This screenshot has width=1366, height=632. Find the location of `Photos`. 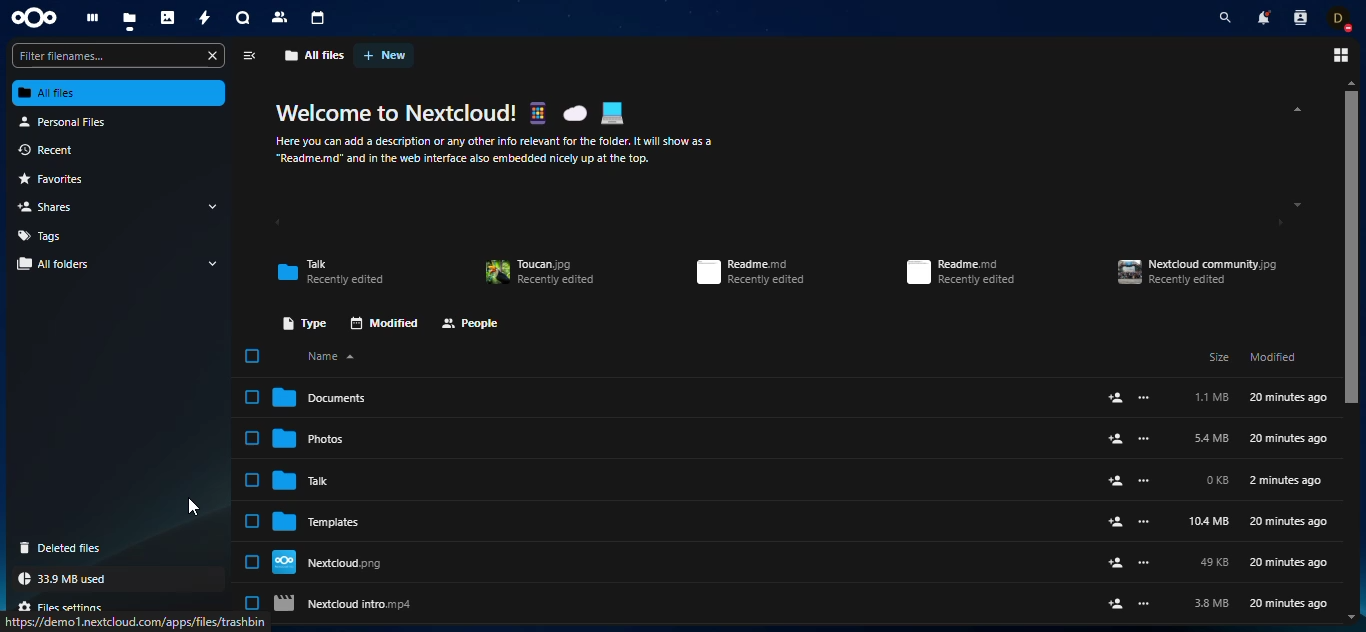

Photos is located at coordinates (167, 18).